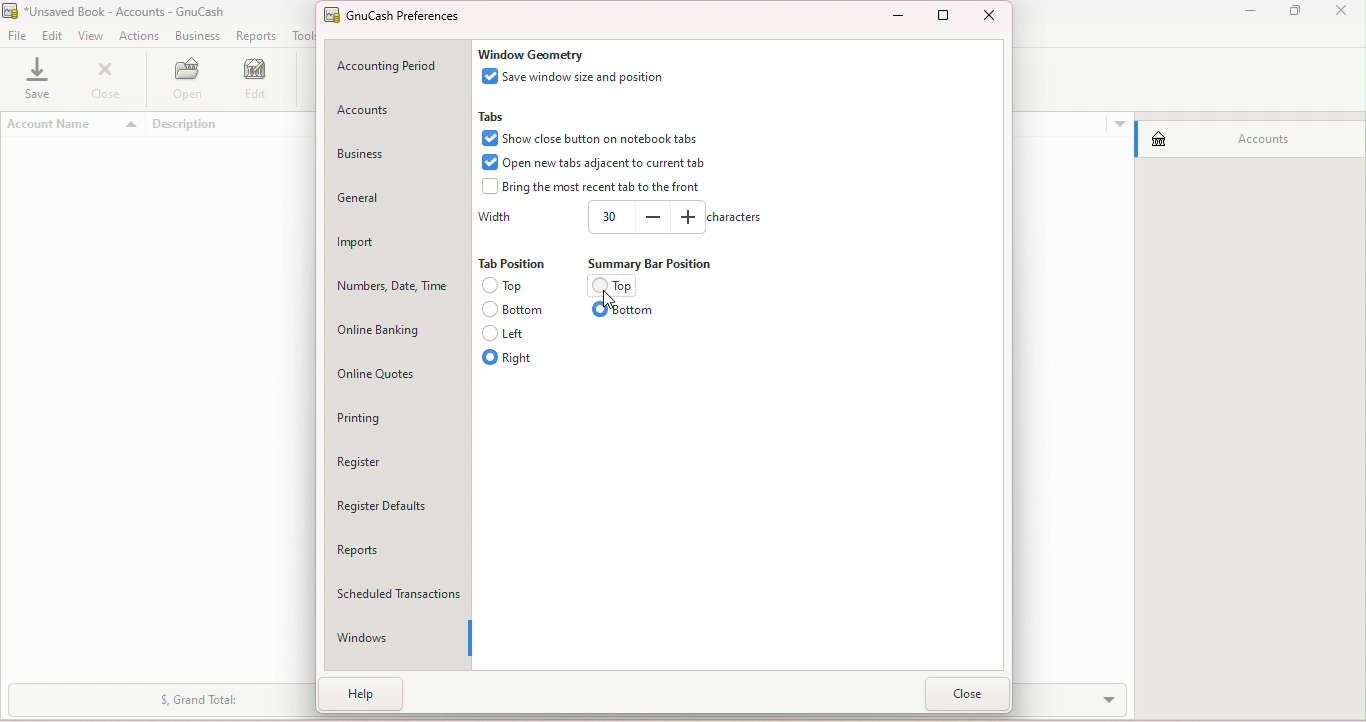 The height and width of the screenshot is (722, 1366). Describe the element at coordinates (1247, 14) in the screenshot. I see `Minimize` at that location.